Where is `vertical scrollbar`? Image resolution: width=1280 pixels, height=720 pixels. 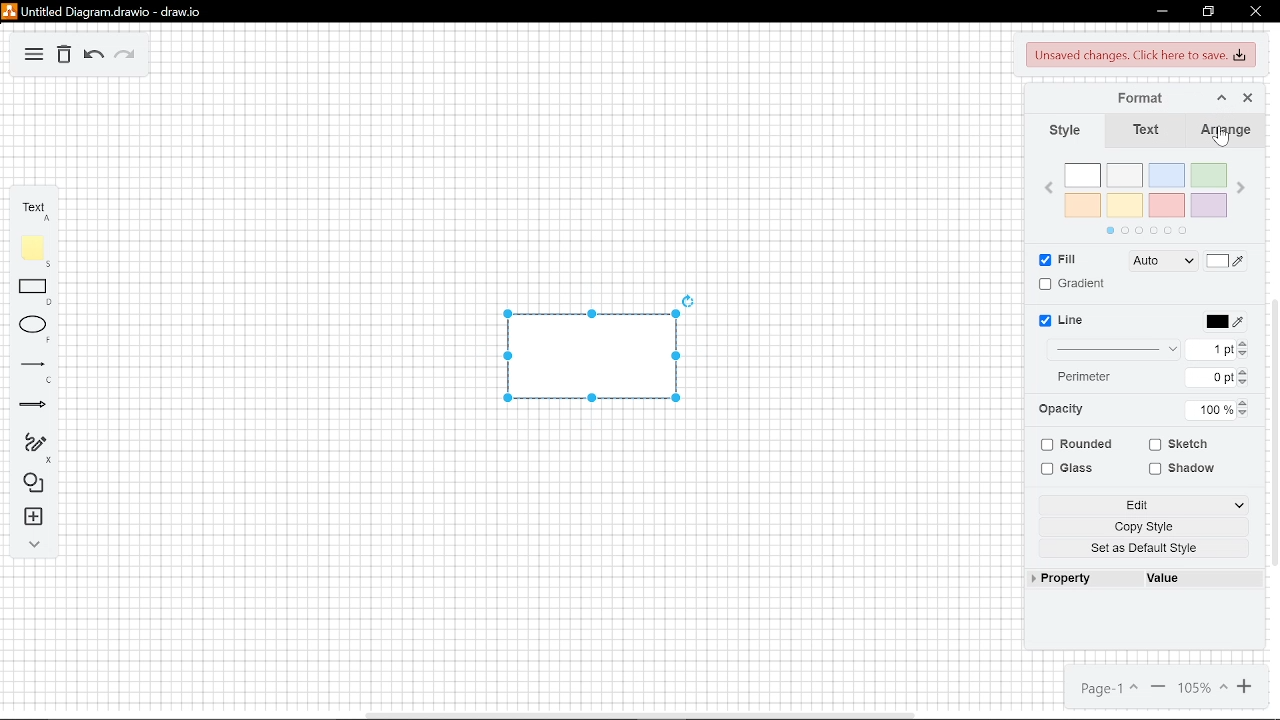
vertical scrollbar is located at coordinates (1272, 433).